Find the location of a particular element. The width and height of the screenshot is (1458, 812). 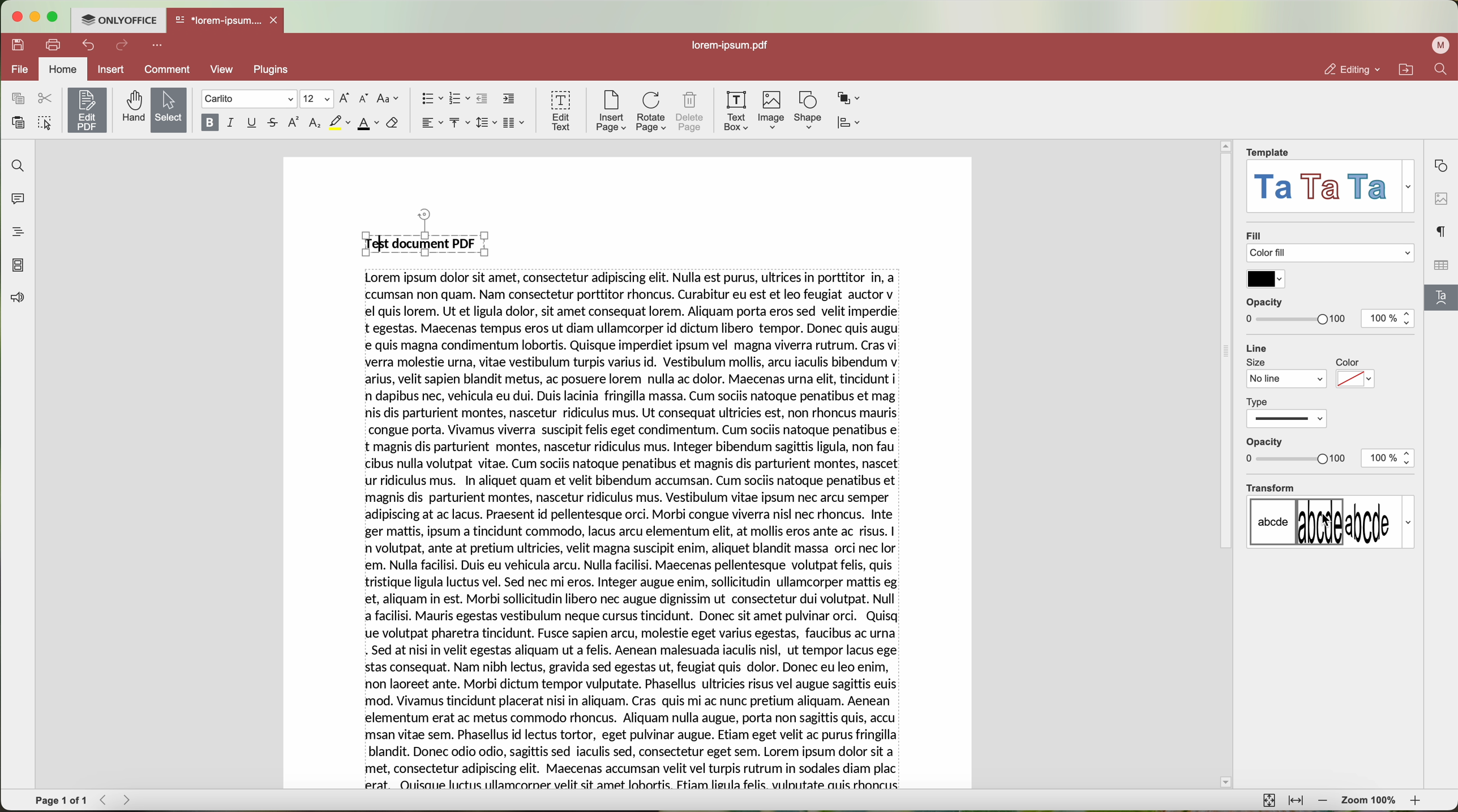

color is located at coordinates (1356, 375).